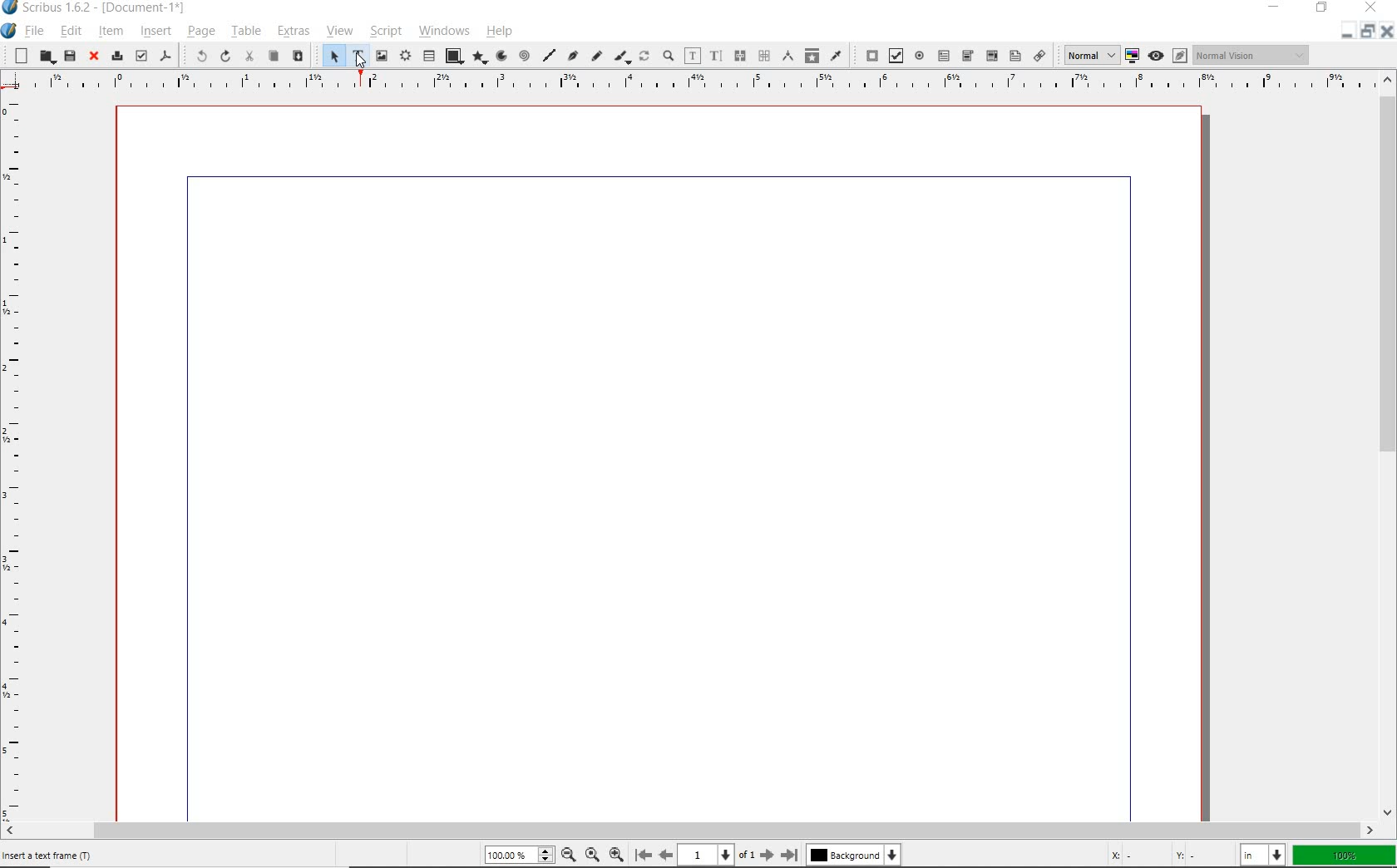 This screenshot has width=1397, height=868. What do you see at coordinates (853, 856) in the screenshot?
I see `Background` at bounding box center [853, 856].